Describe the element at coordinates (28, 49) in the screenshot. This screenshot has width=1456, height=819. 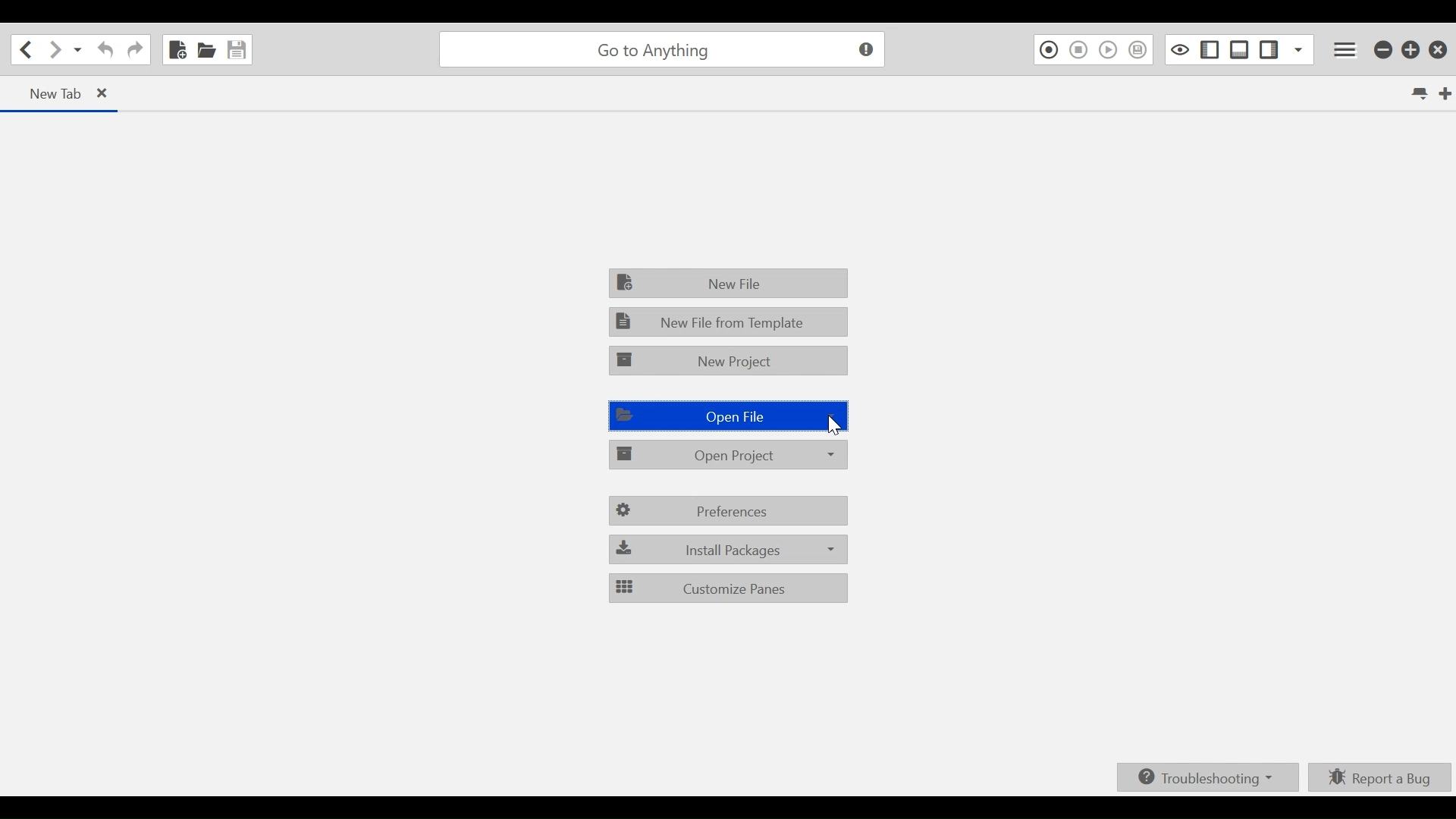
I see `Go back one location` at that location.